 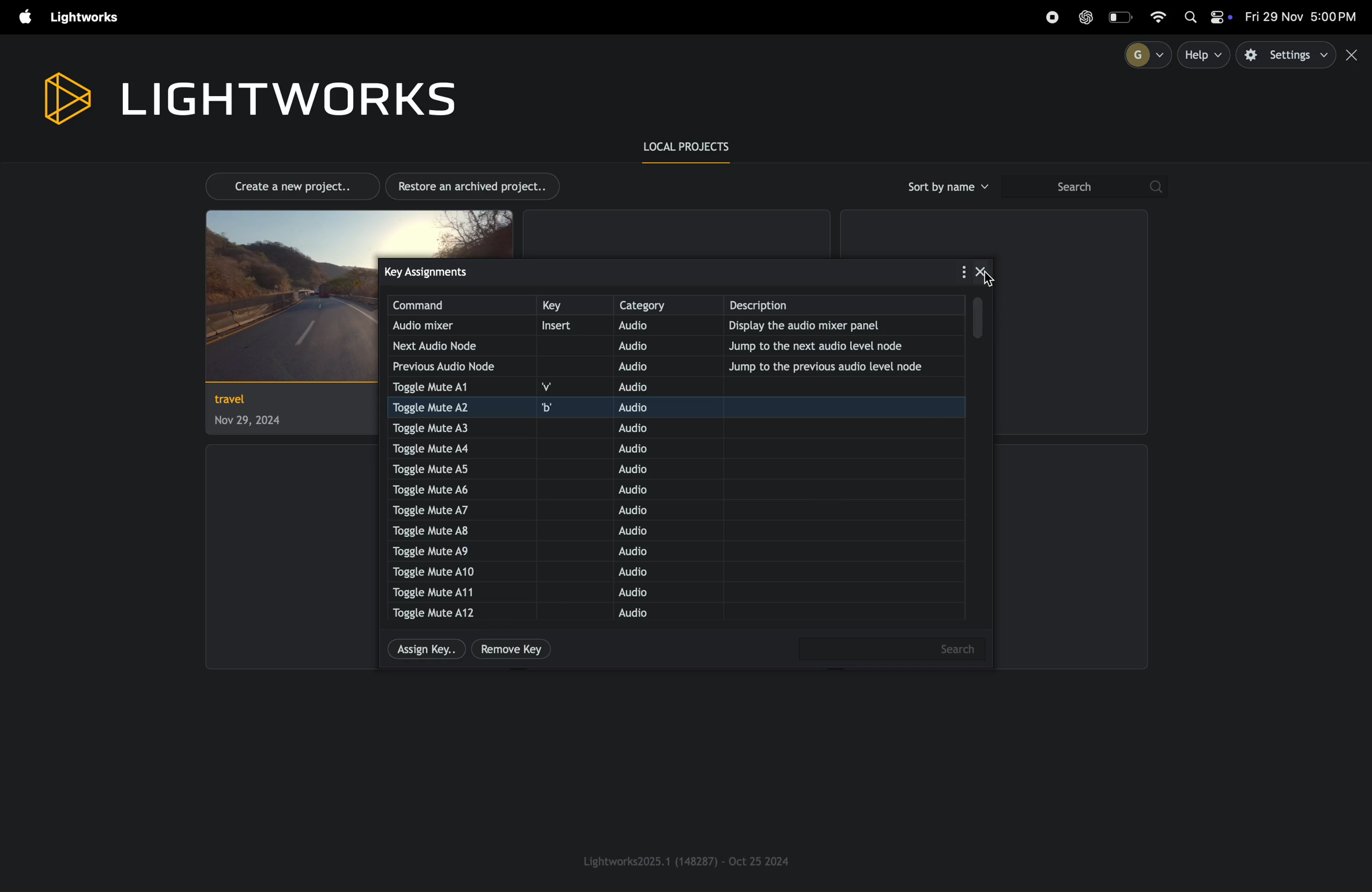 I want to click on audio, so click(x=648, y=428).